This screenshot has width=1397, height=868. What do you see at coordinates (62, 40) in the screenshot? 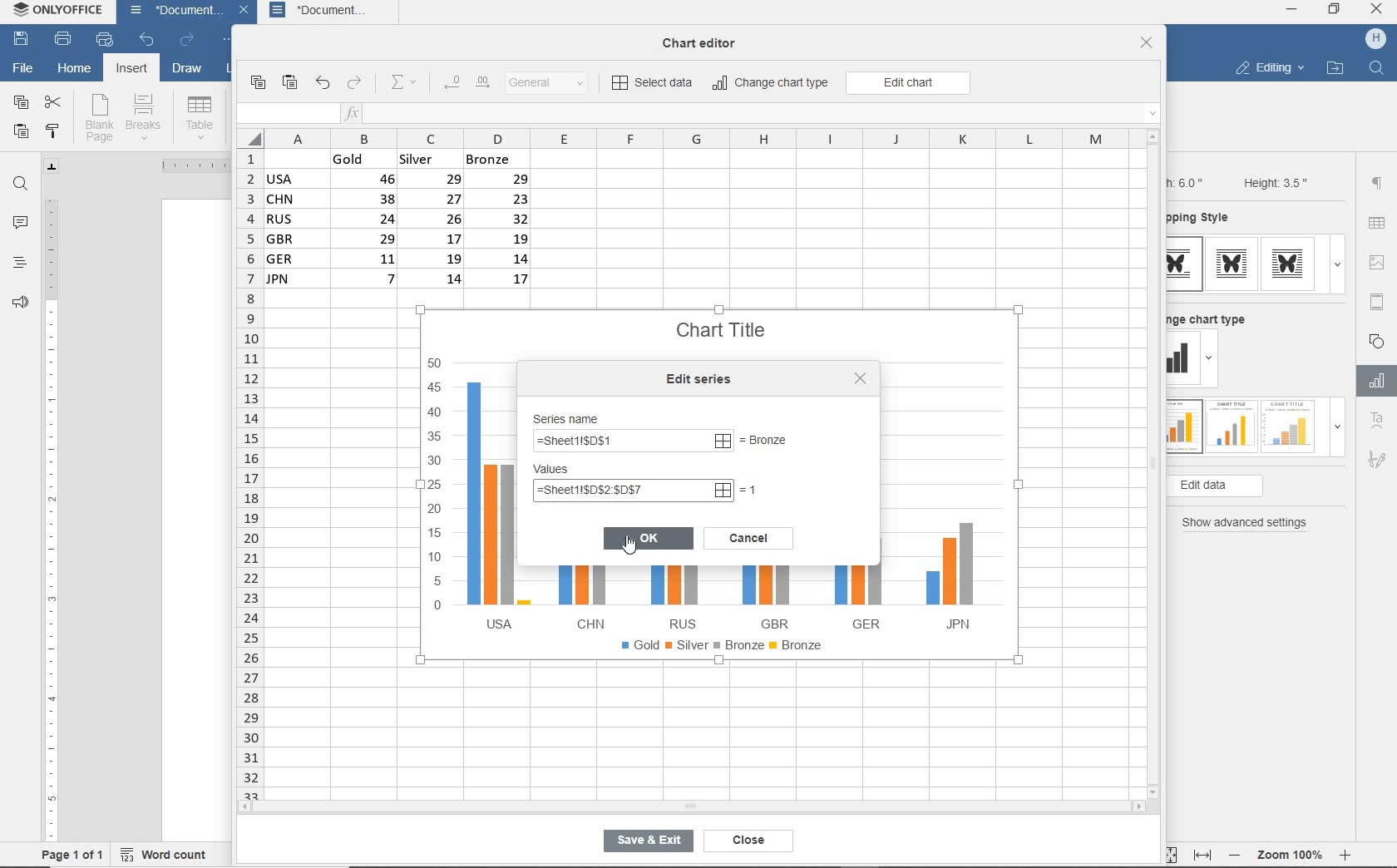
I see `print` at bounding box center [62, 40].